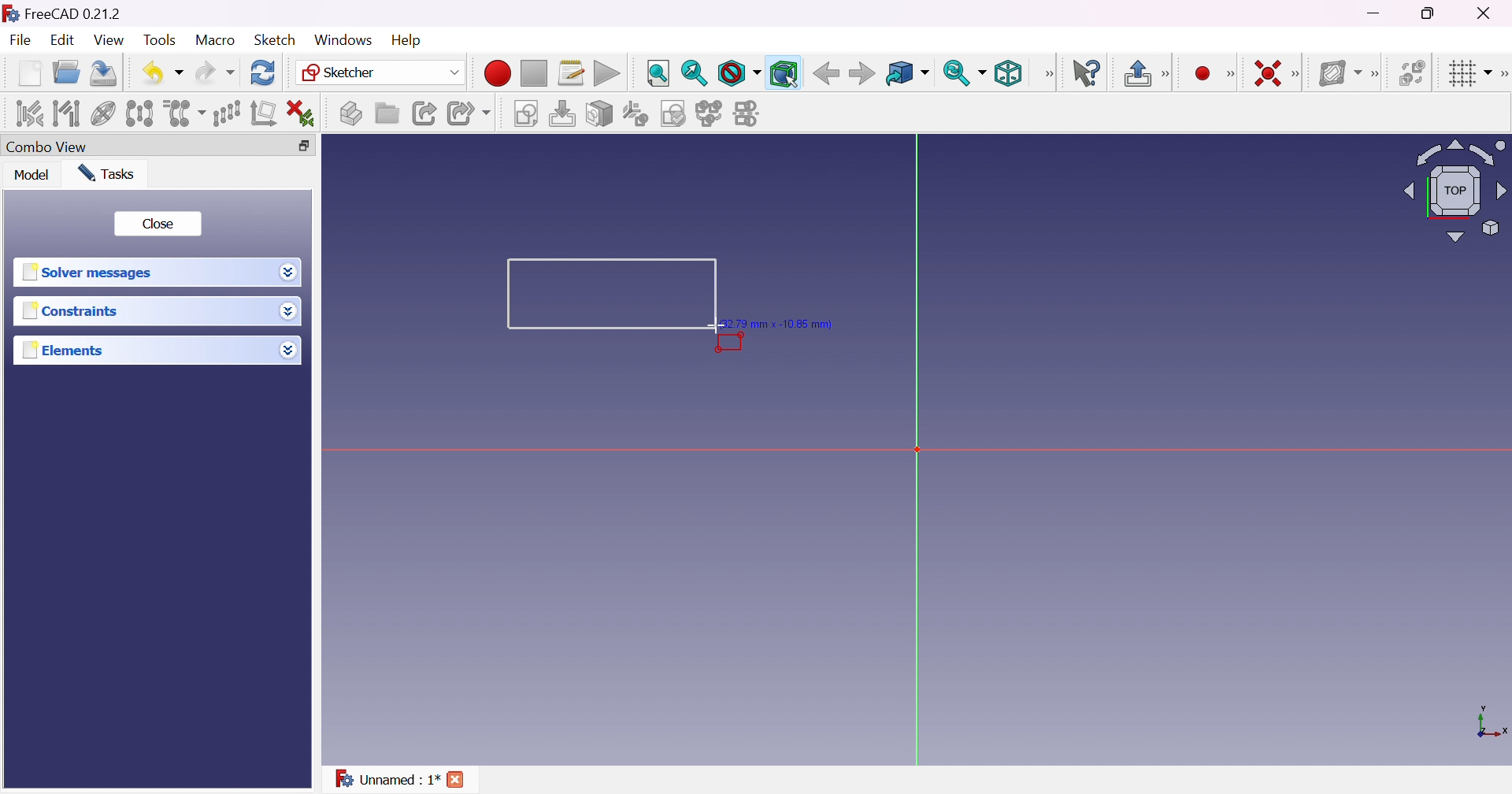 This screenshot has width=1512, height=794. What do you see at coordinates (29, 113) in the screenshot?
I see `Select associated constraints` at bounding box center [29, 113].